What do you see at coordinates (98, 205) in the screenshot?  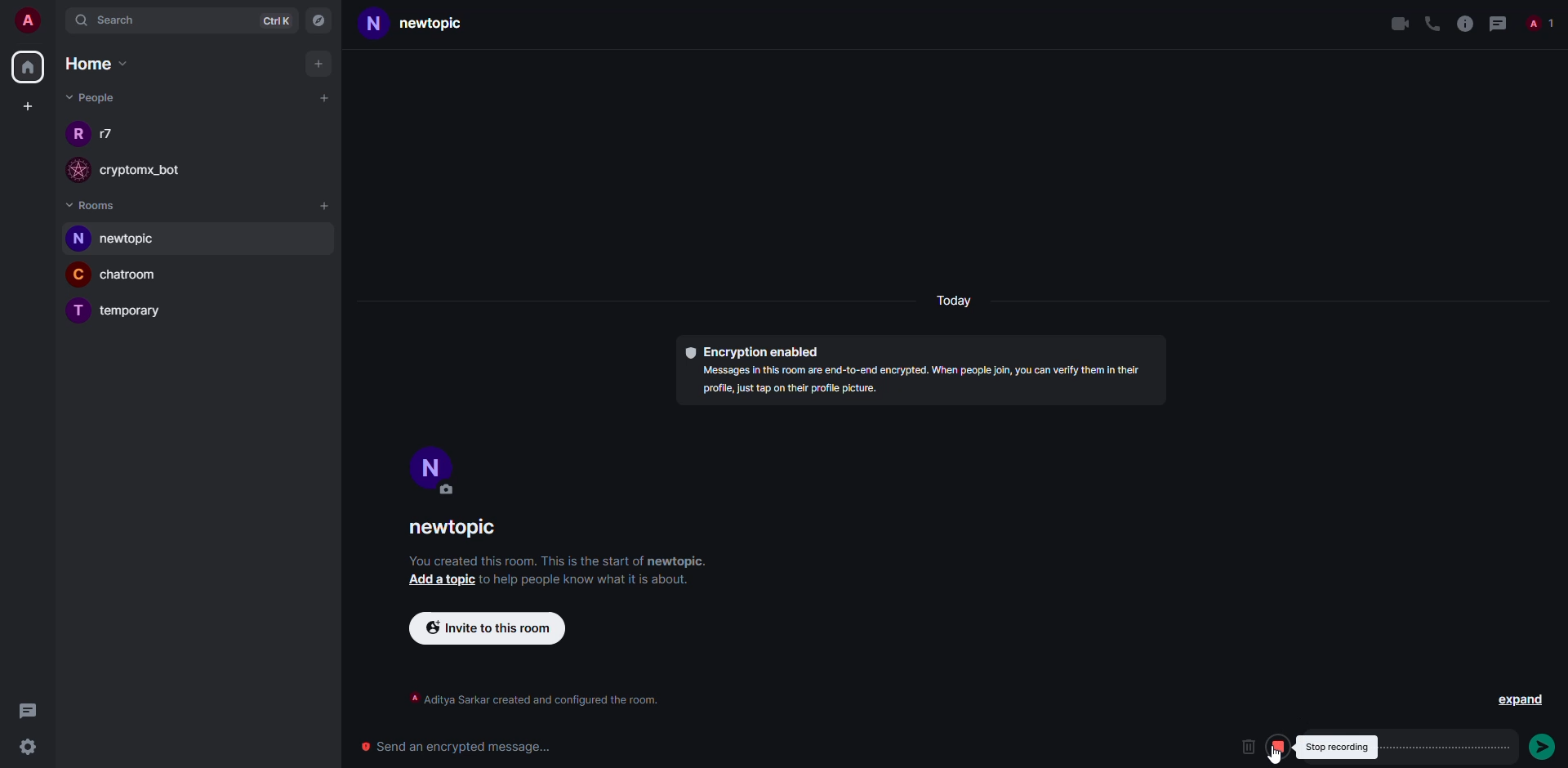 I see `rooms` at bounding box center [98, 205].